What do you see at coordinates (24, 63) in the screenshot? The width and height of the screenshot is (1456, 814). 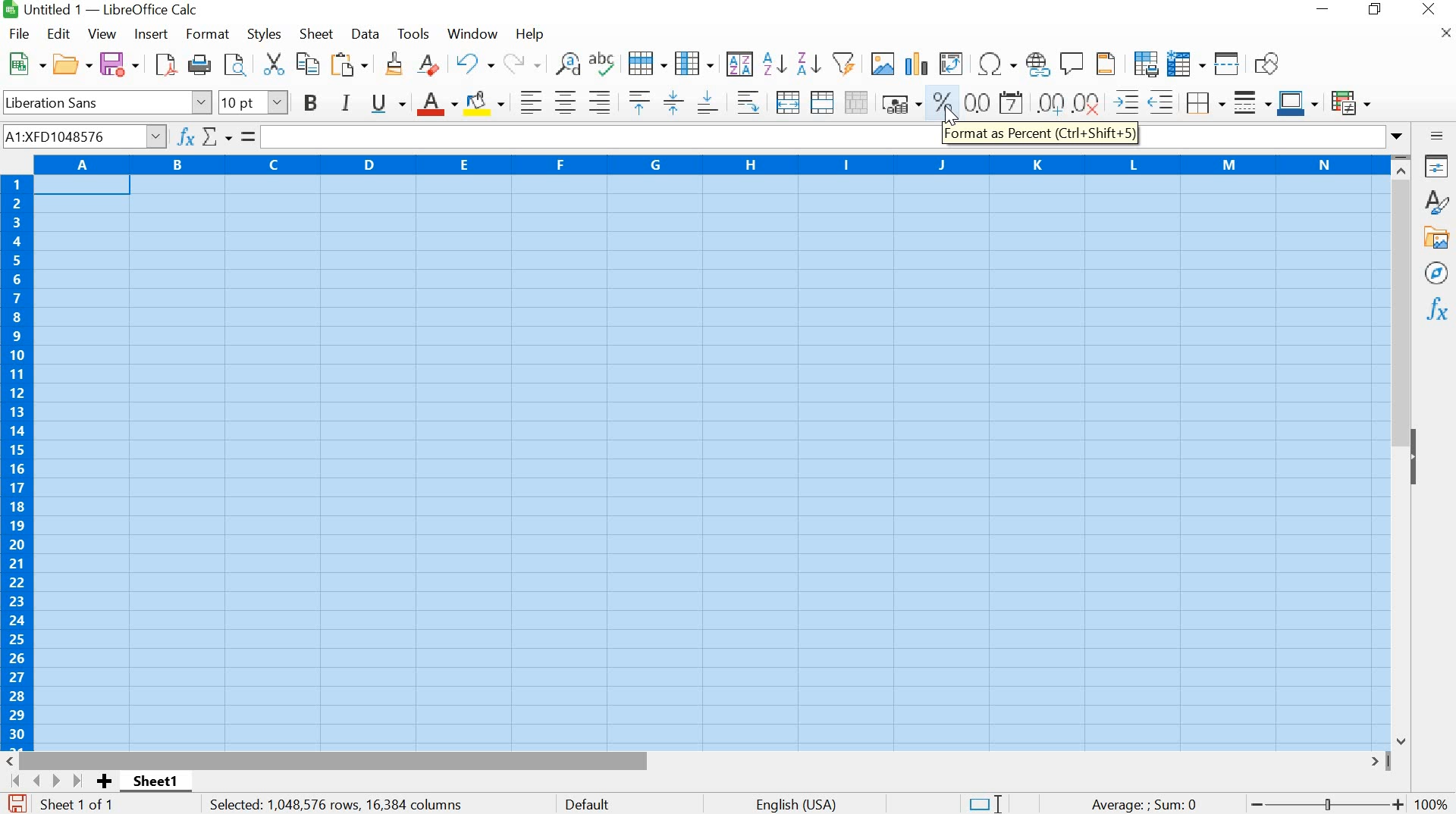 I see `NEW` at bounding box center [24, 63].